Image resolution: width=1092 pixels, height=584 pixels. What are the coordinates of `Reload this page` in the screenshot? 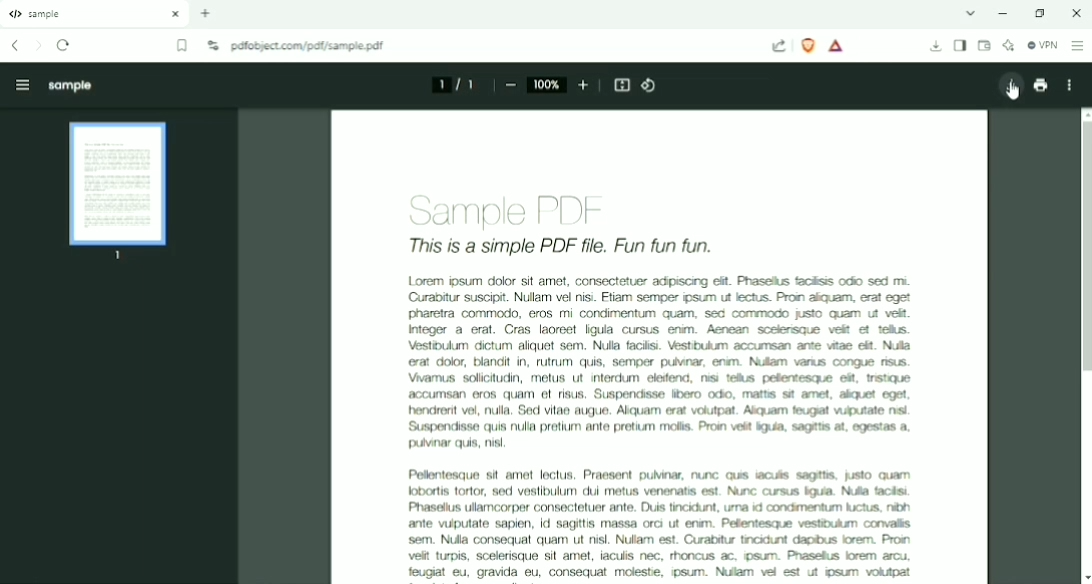 It's located at (64, 45).